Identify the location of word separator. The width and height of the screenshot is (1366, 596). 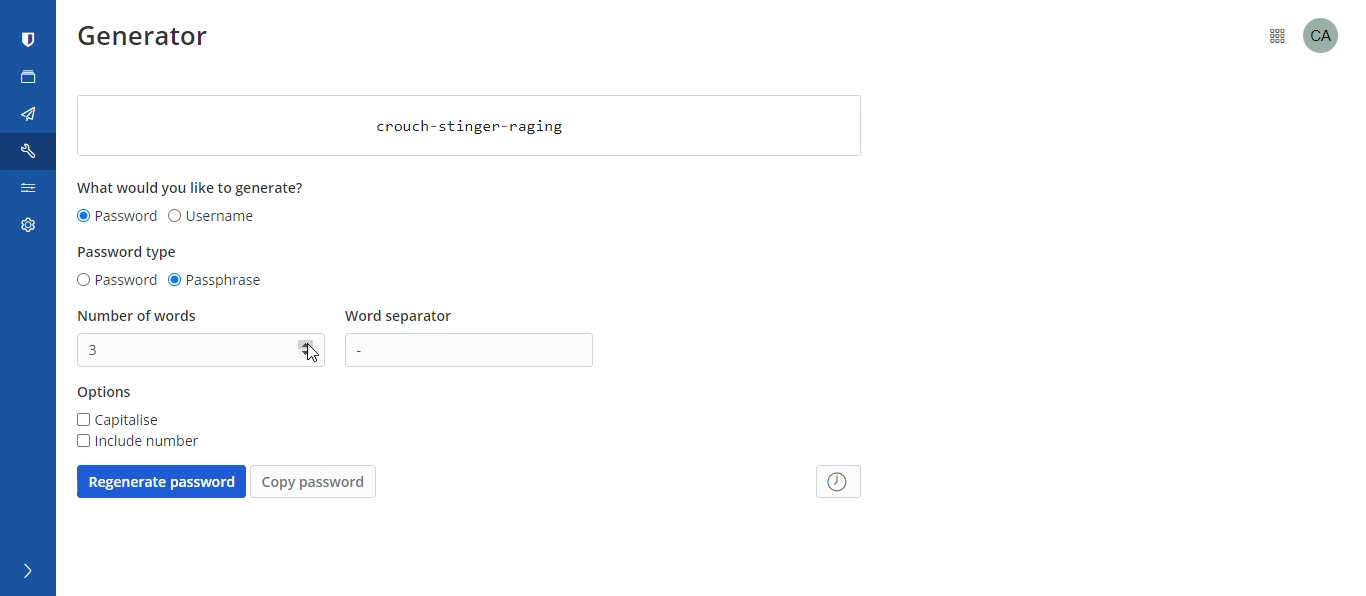
(402, 317).